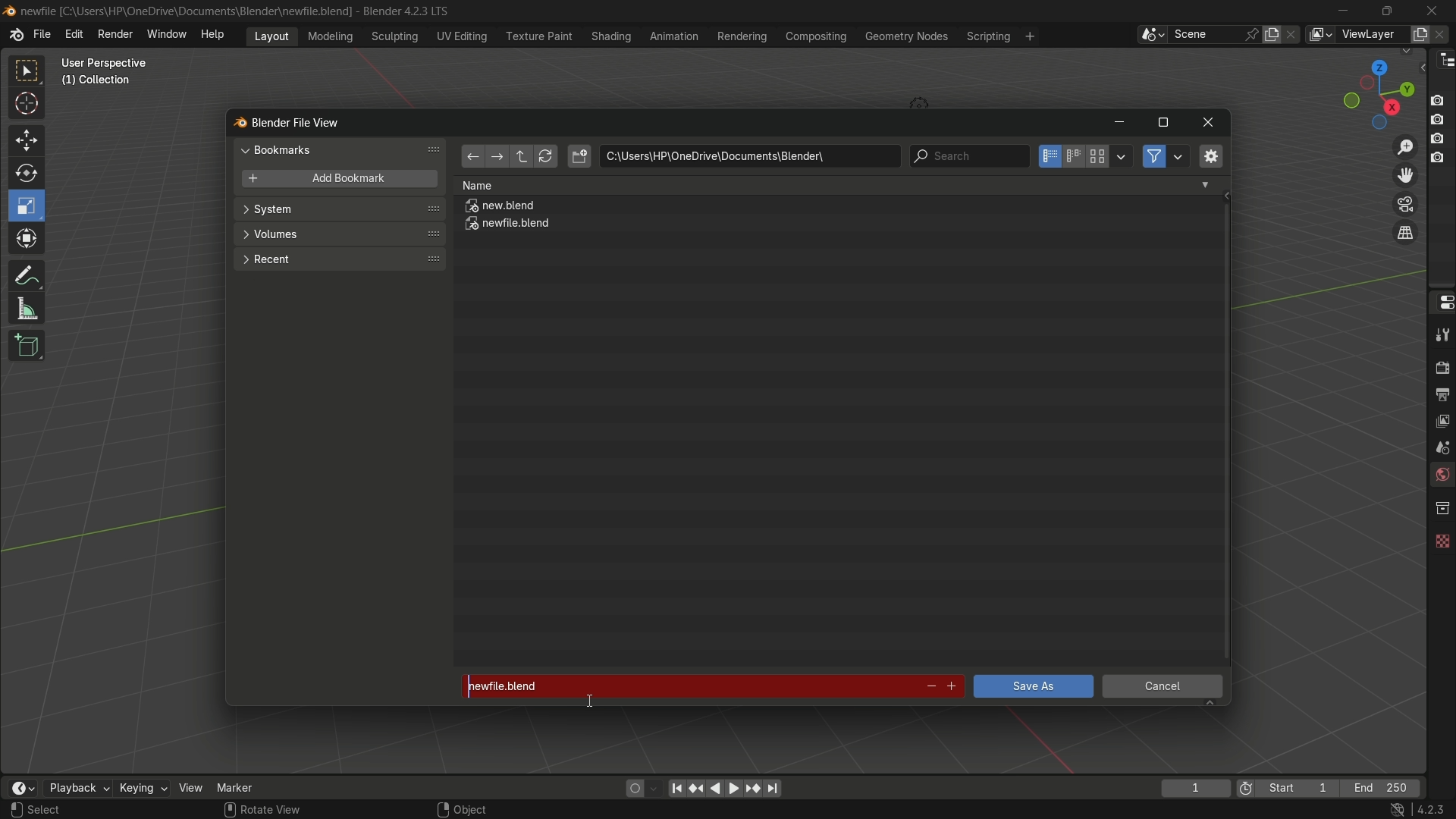 The height and width of the screenshot is (819, 1456). Describe the element at coordinates (674, 36) in the screenshot. I see `animation menu` at that location.